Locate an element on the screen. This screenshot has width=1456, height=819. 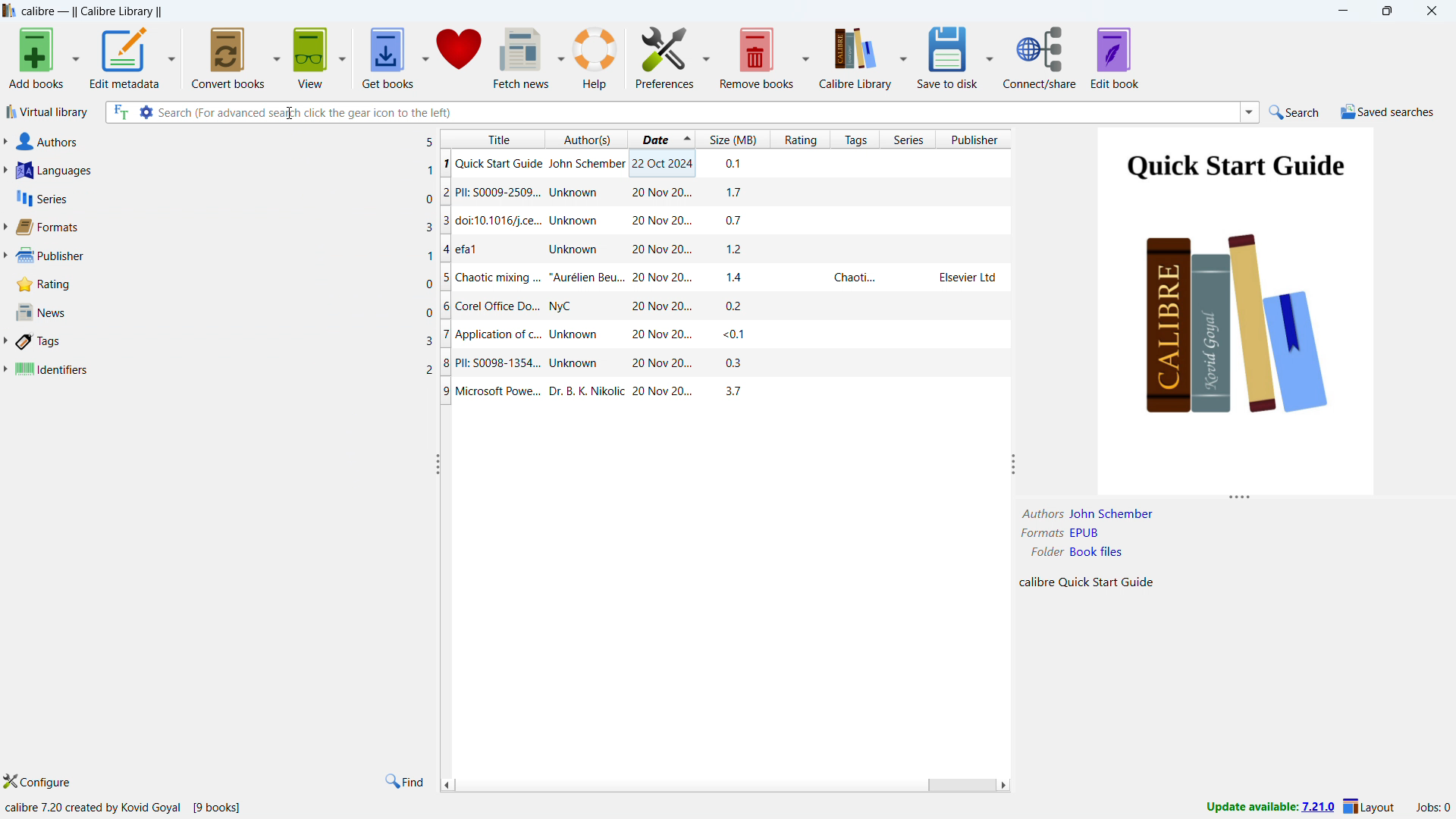
calibre library is located at coordinates (855, 57).